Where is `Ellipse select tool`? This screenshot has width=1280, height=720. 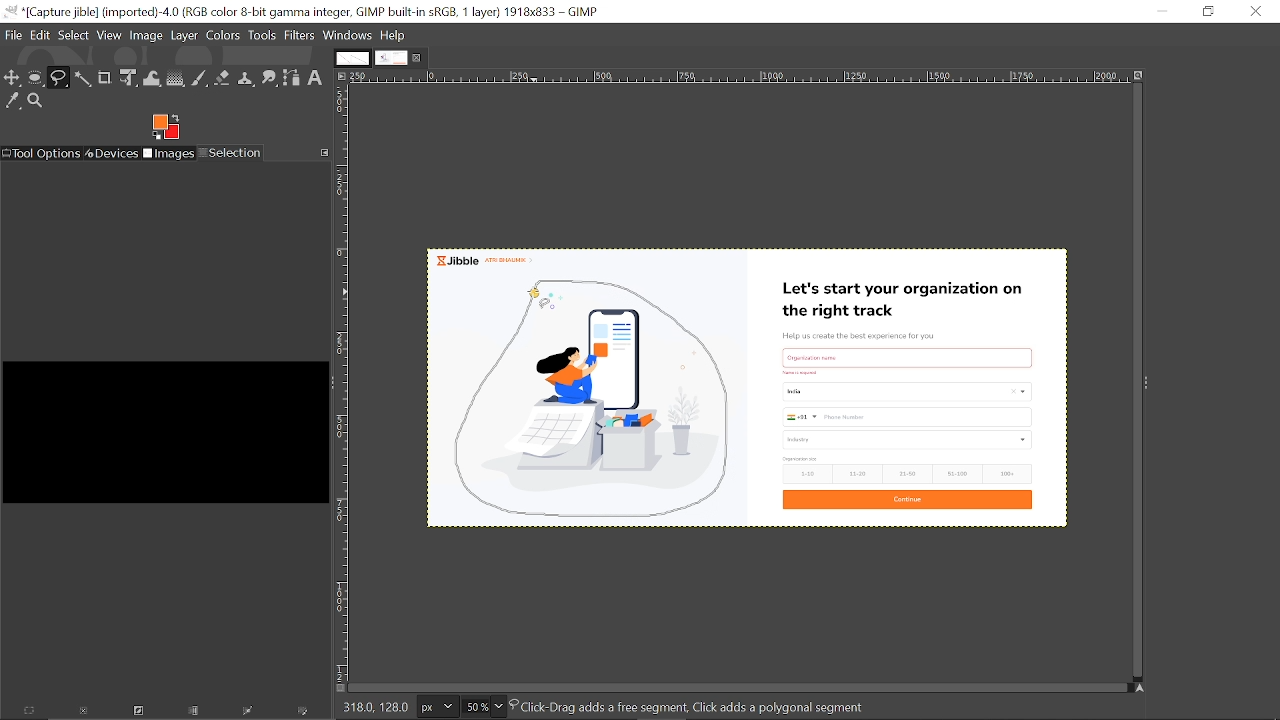
Ellipse select tool is located at coordinates (36, 79).